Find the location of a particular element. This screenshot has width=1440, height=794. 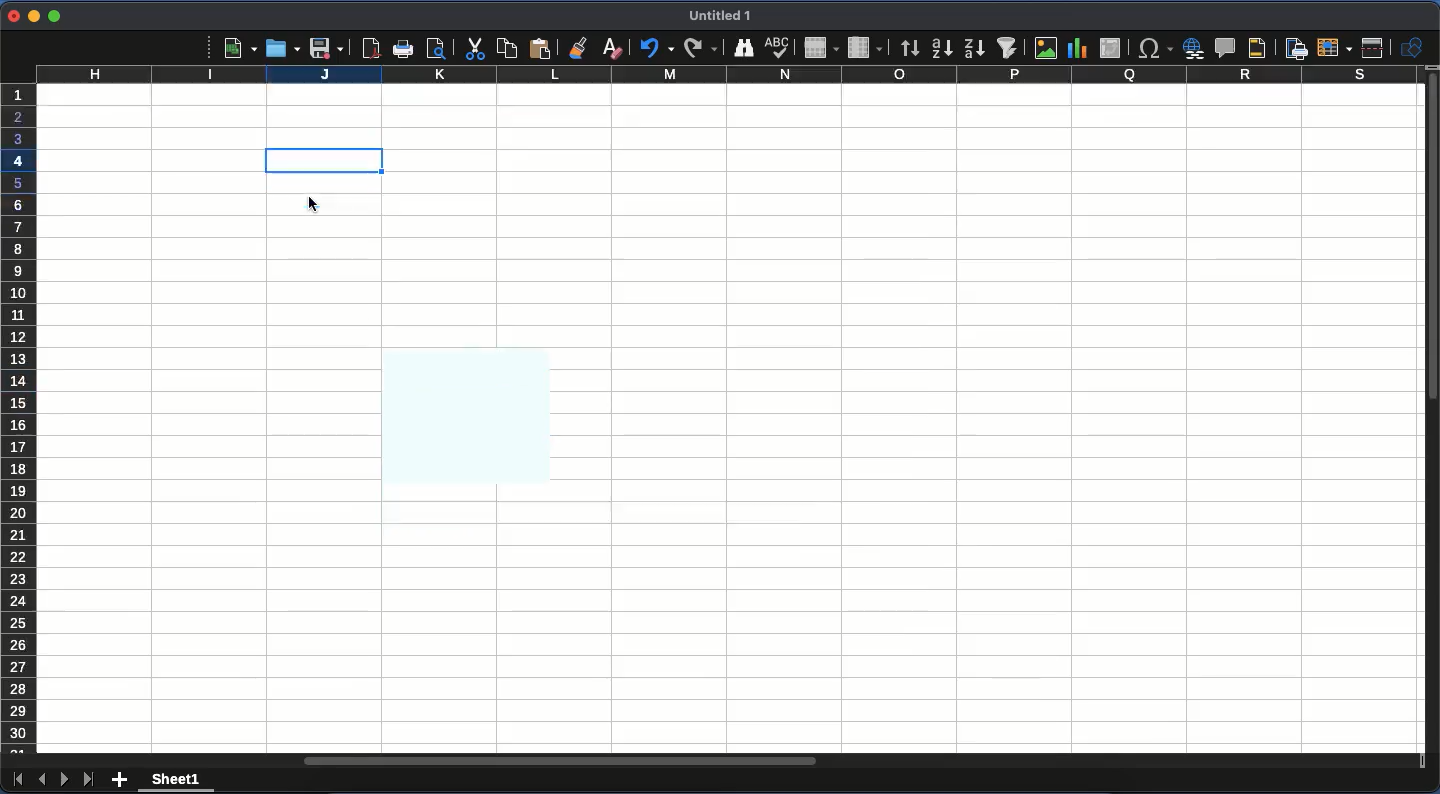

next sheet is located at coordinates (65, 779).